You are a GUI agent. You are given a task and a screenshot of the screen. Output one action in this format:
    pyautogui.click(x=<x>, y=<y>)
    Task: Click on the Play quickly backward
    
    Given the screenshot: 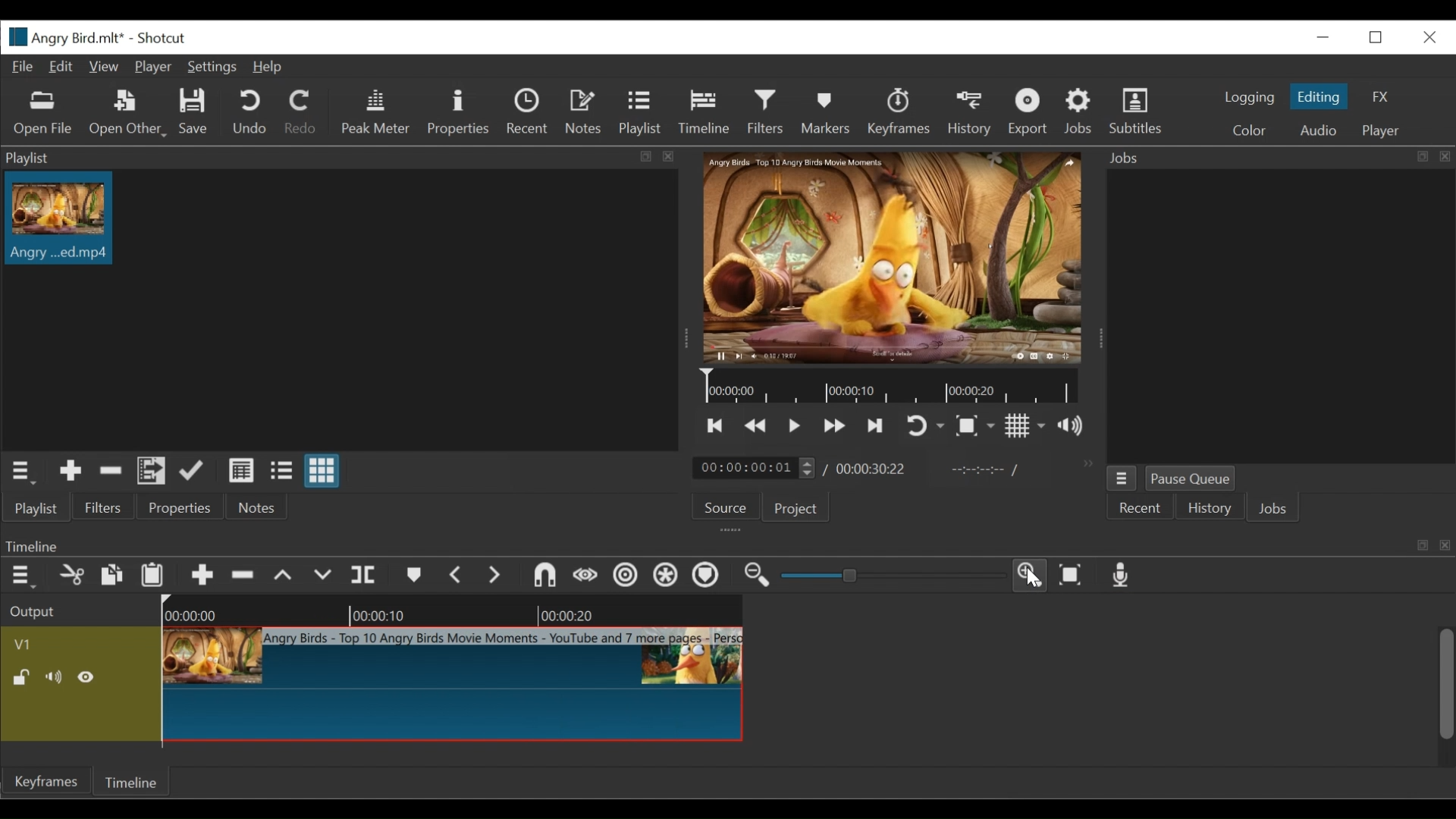 What is the action you would take?
    pyautogui.click(x=758, y=426)
    